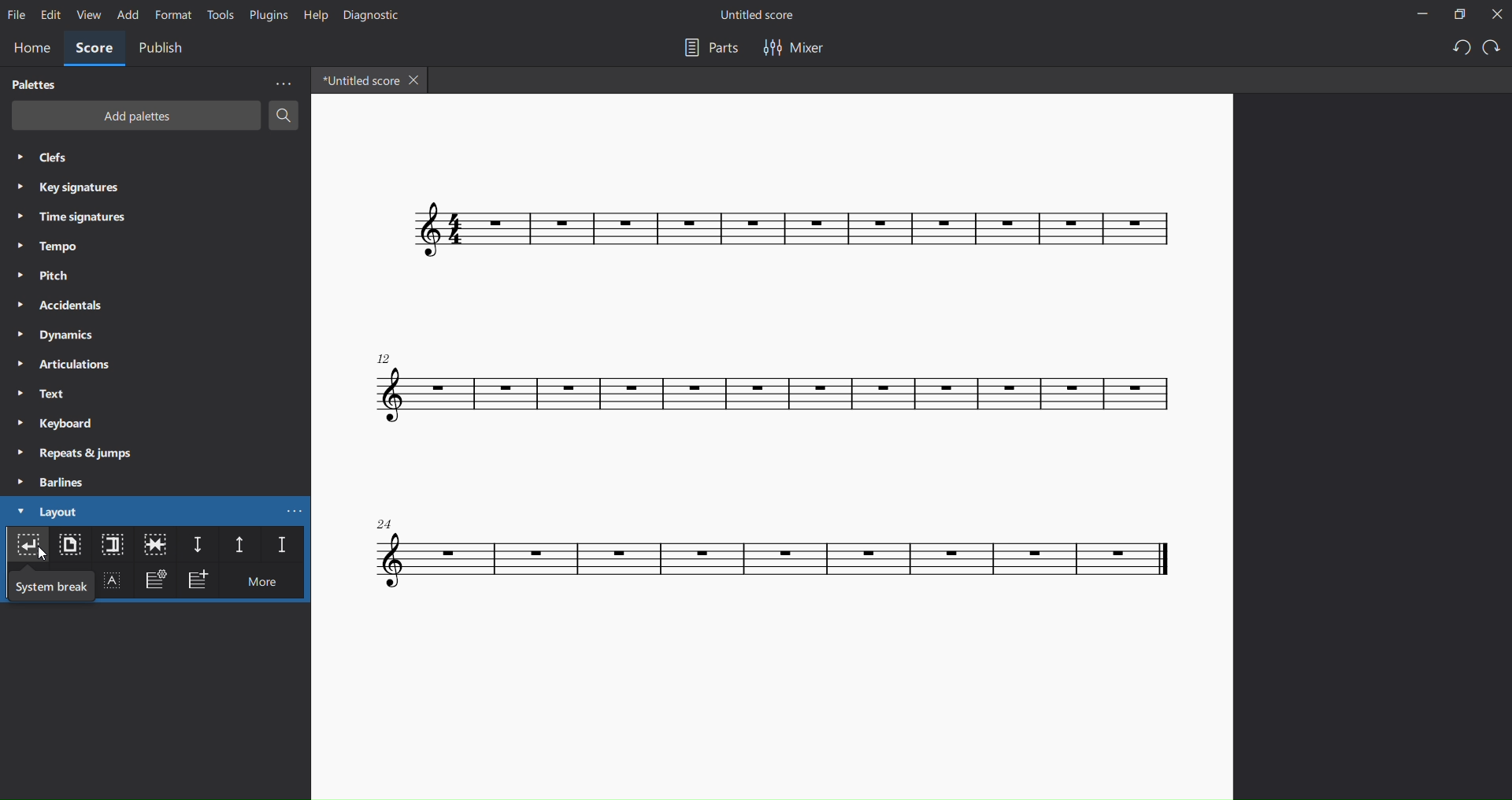 The height and width of the screenshot is (800, 1512). What do you see at coordinates (64, 365) in the screenshot?
I see `articulations` at bounding box center [64, 365].